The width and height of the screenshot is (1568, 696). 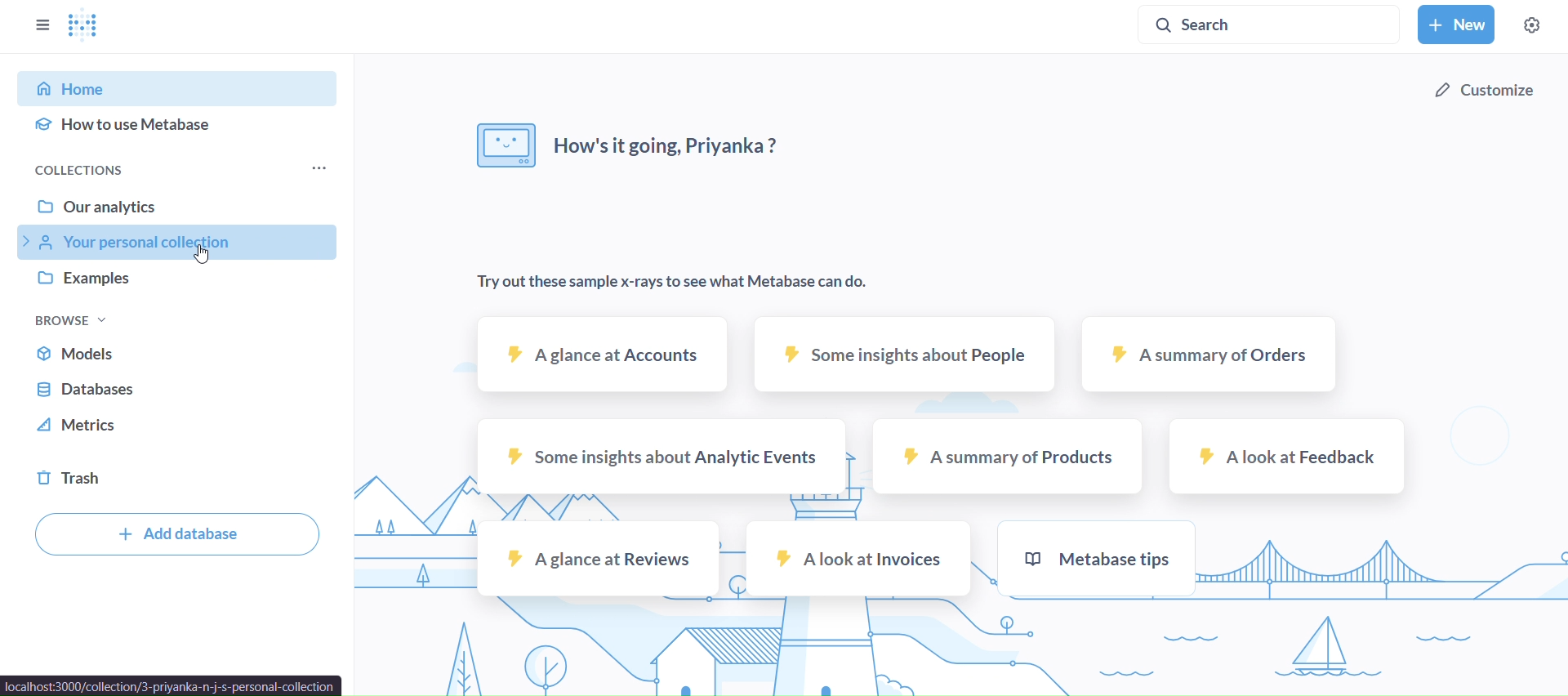 What do you see at coordinates (123, 172) in the screenshot?
I see `collections` at bounding box center [123, 172].